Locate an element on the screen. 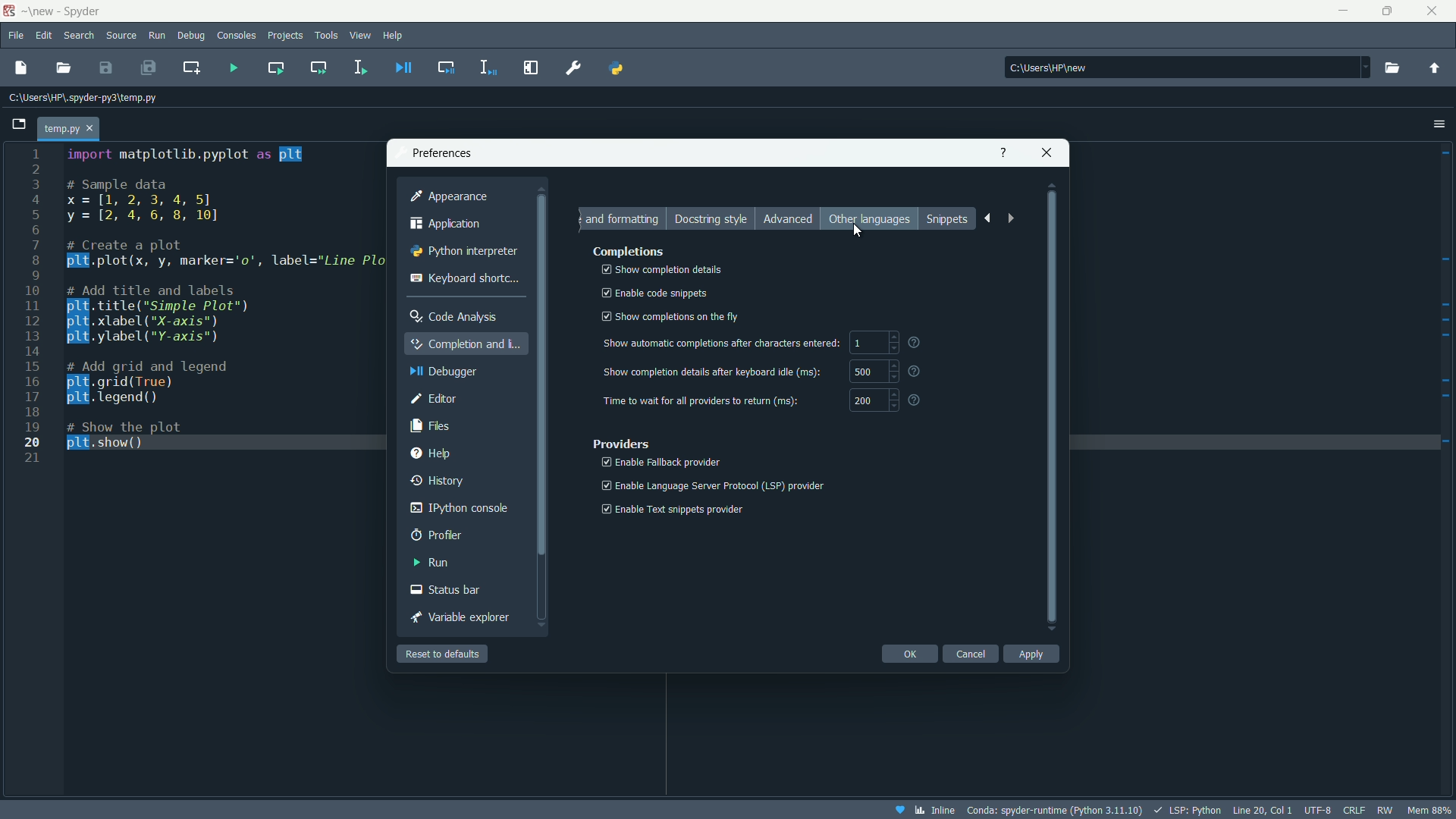 This screenshot has height=819, width=1456. file is located at coordinates (14, 35).